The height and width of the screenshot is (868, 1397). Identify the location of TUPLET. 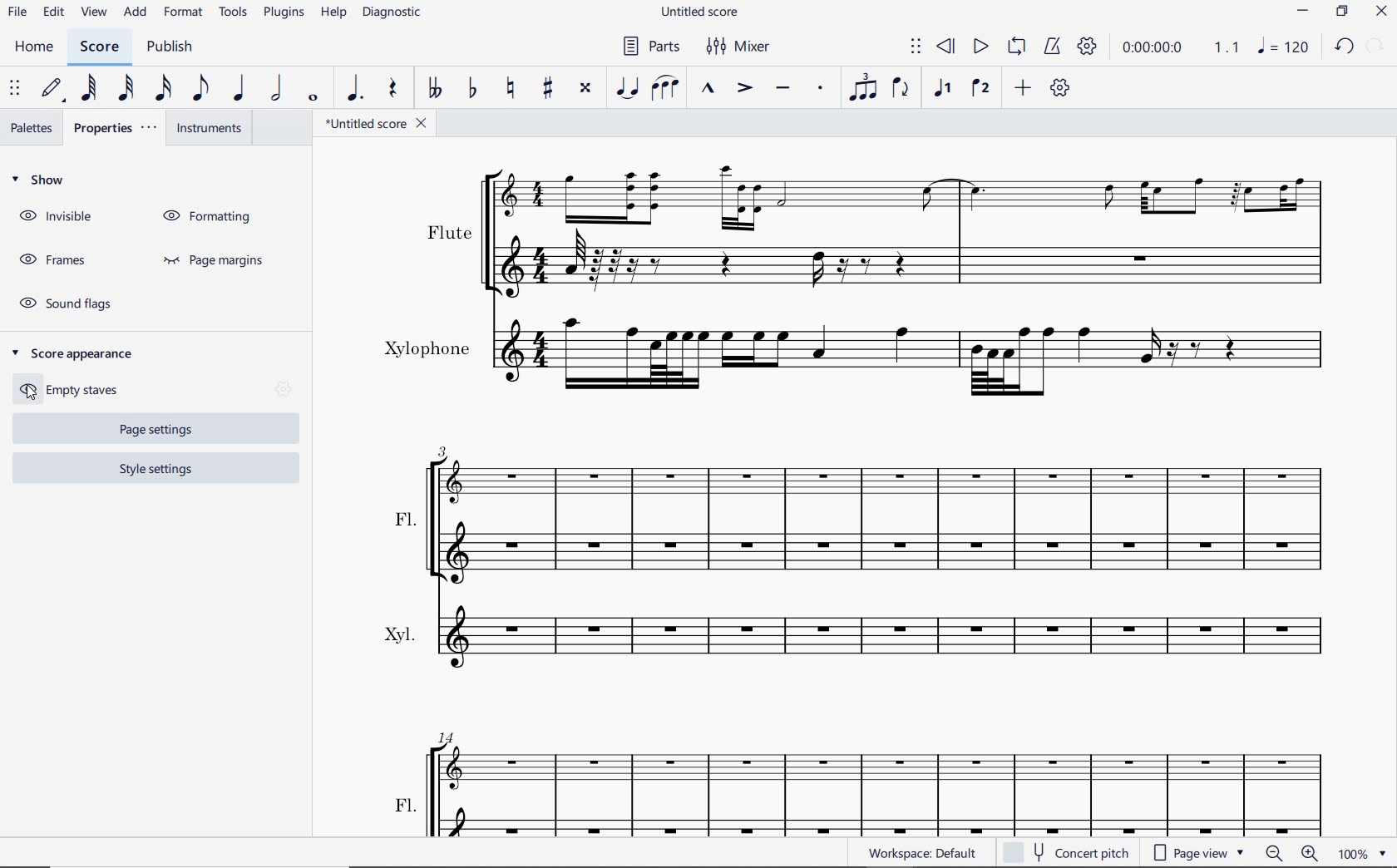
(864, 86).